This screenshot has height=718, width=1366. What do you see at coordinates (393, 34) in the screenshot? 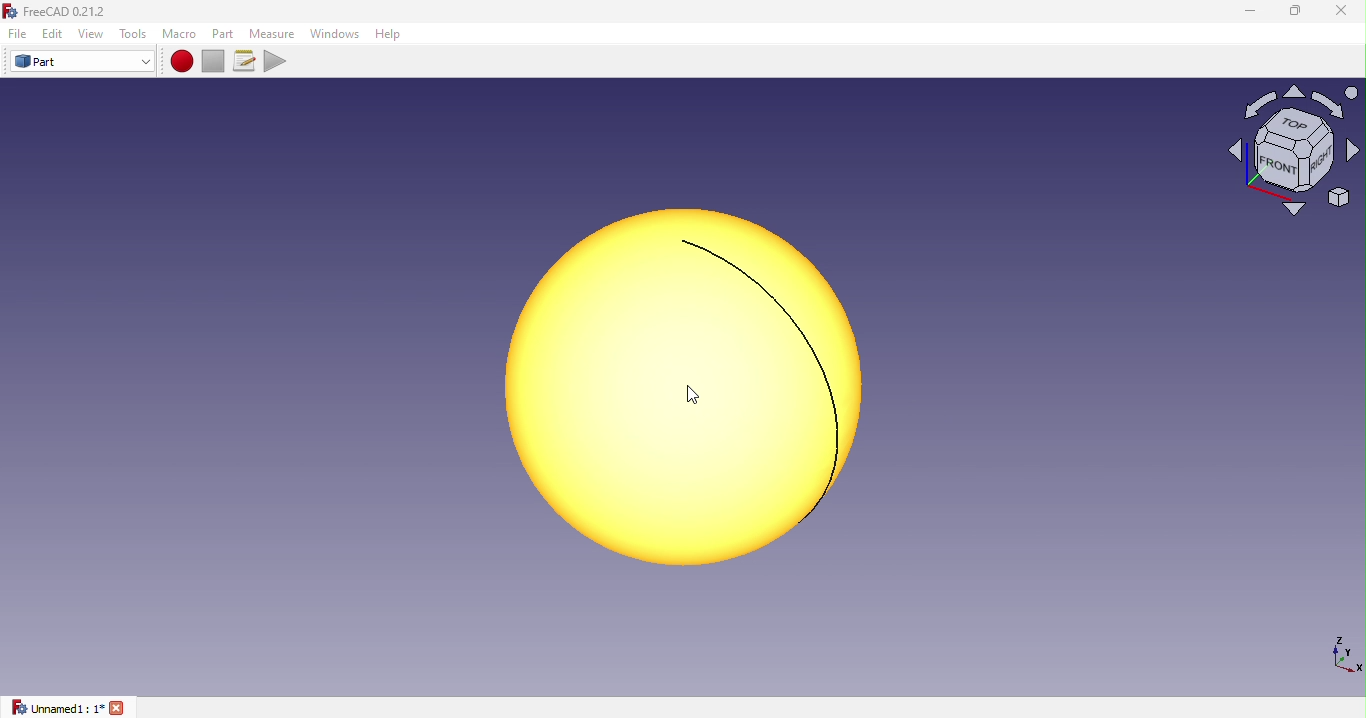
I see `Help` at bounding box center [393, 34].